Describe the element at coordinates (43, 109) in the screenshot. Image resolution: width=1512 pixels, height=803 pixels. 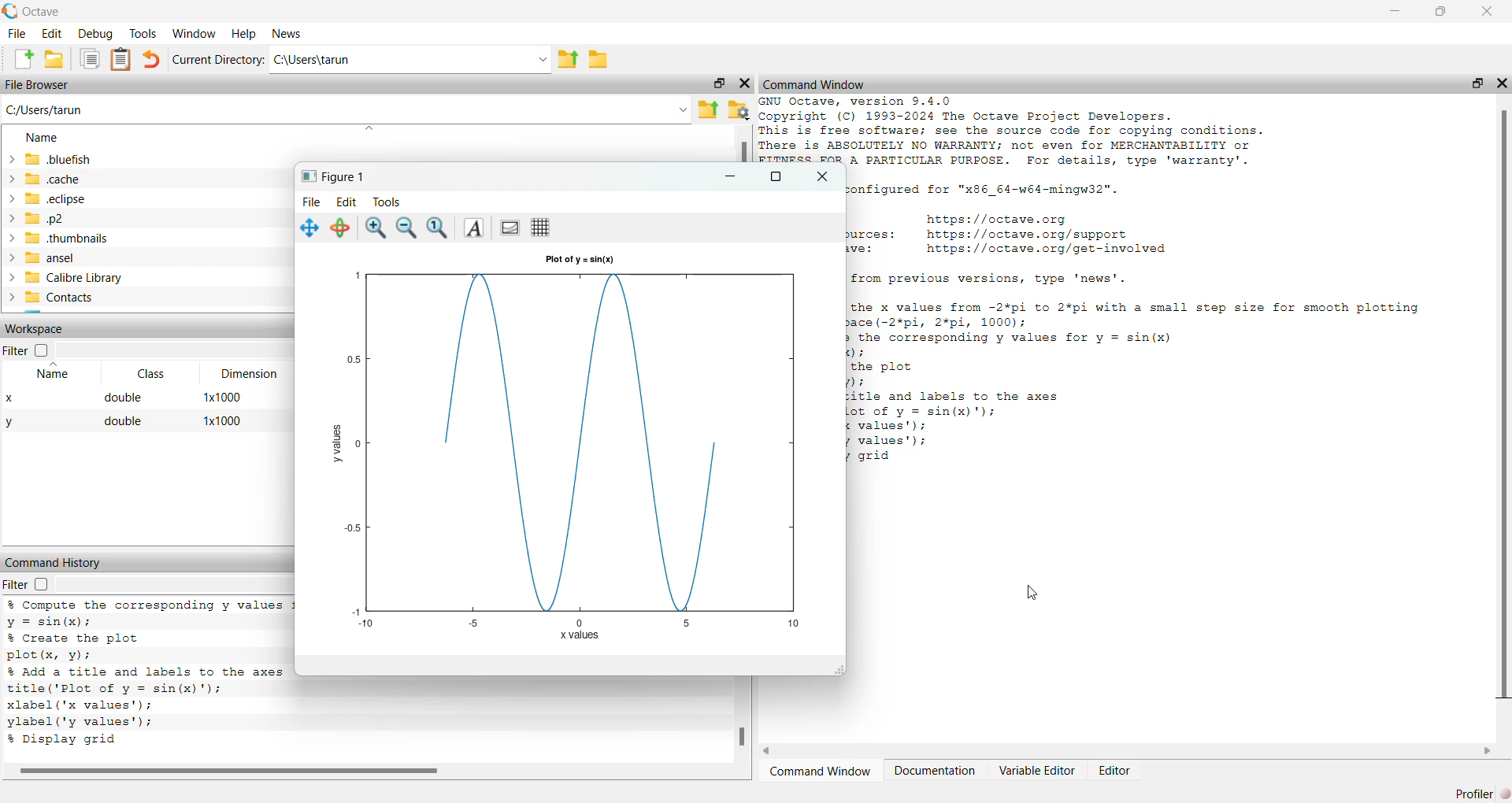
I see `C:/Users/tarun` at that location.